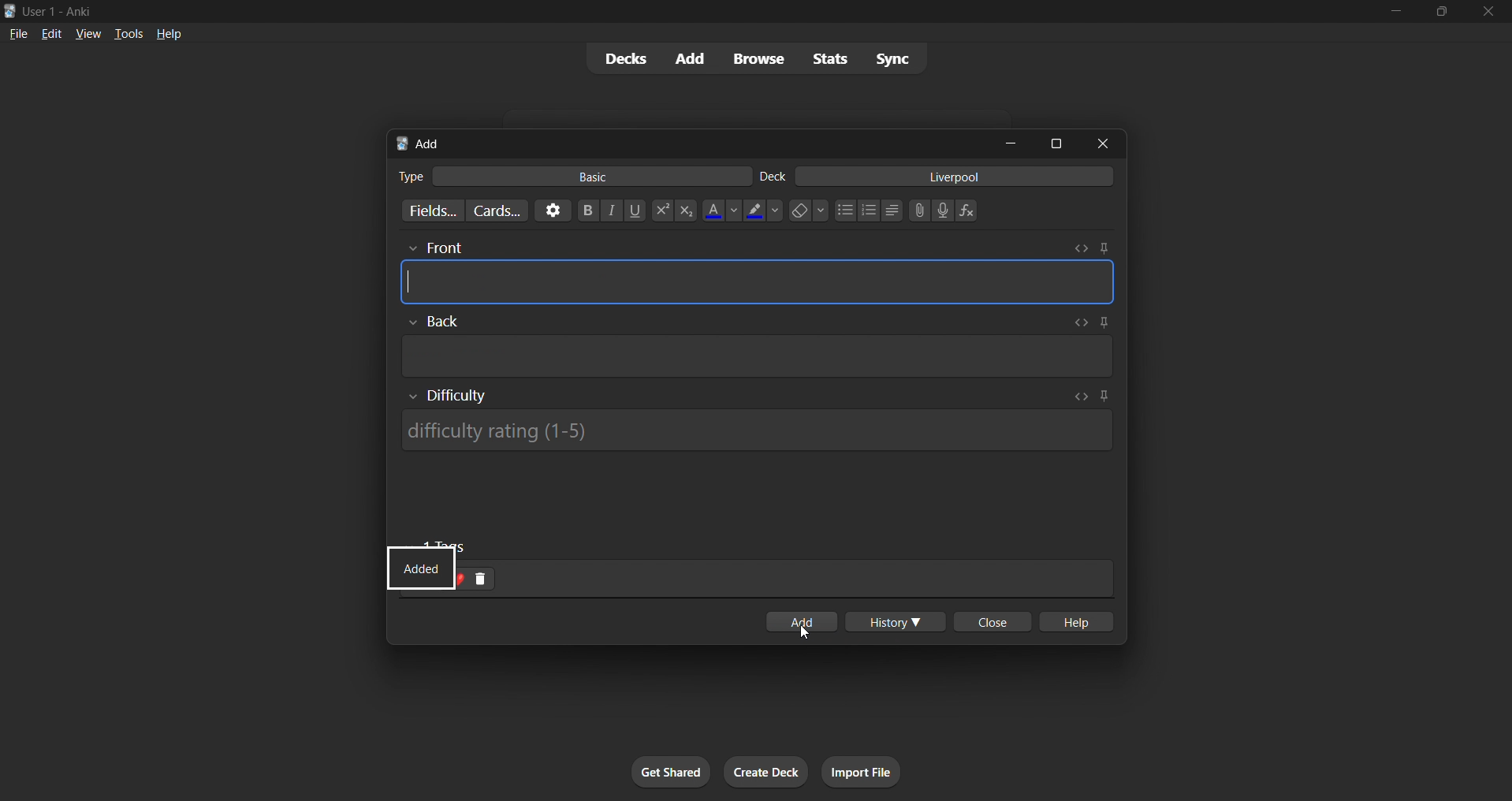  Describe the element at coordinates (972, 211) in the screenshot. I see `function` at that location.